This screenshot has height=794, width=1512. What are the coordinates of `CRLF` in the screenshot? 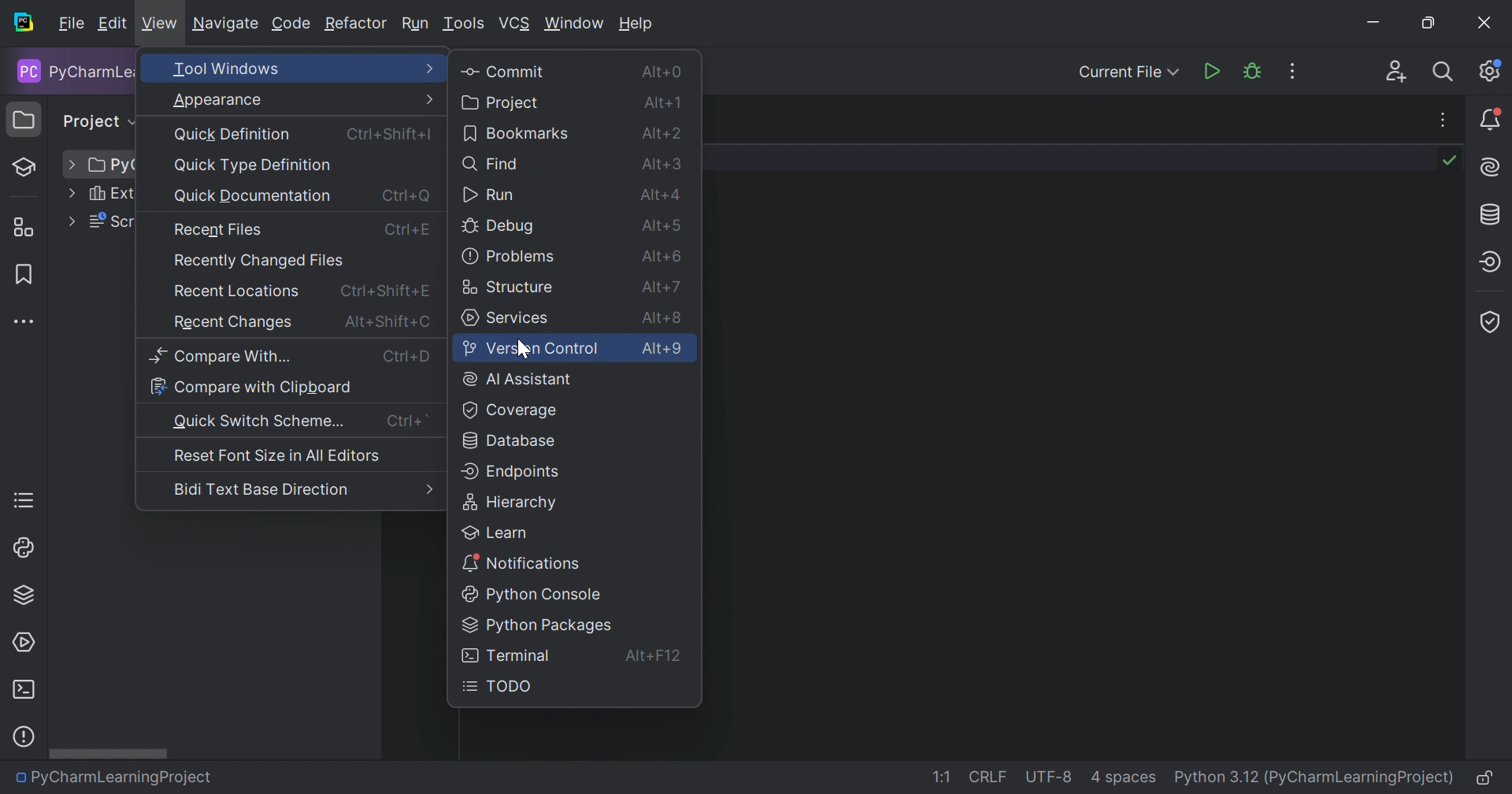 It's located at (991, 776).